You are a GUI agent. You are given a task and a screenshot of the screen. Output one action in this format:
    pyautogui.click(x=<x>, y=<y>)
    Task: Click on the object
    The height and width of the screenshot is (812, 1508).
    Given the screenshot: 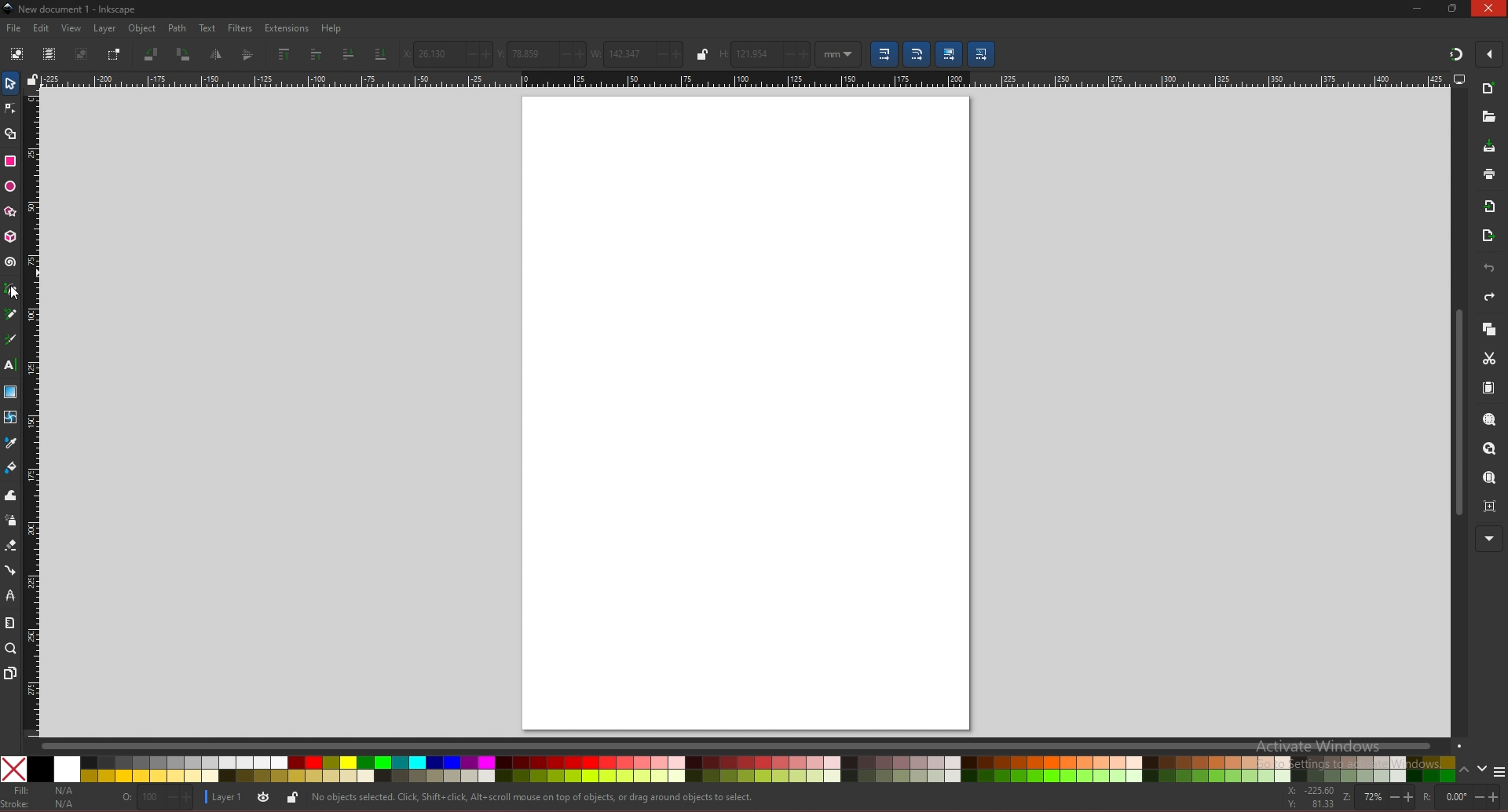 What is the action you would take?
    pyautogui.click(x=145, y=29)
    